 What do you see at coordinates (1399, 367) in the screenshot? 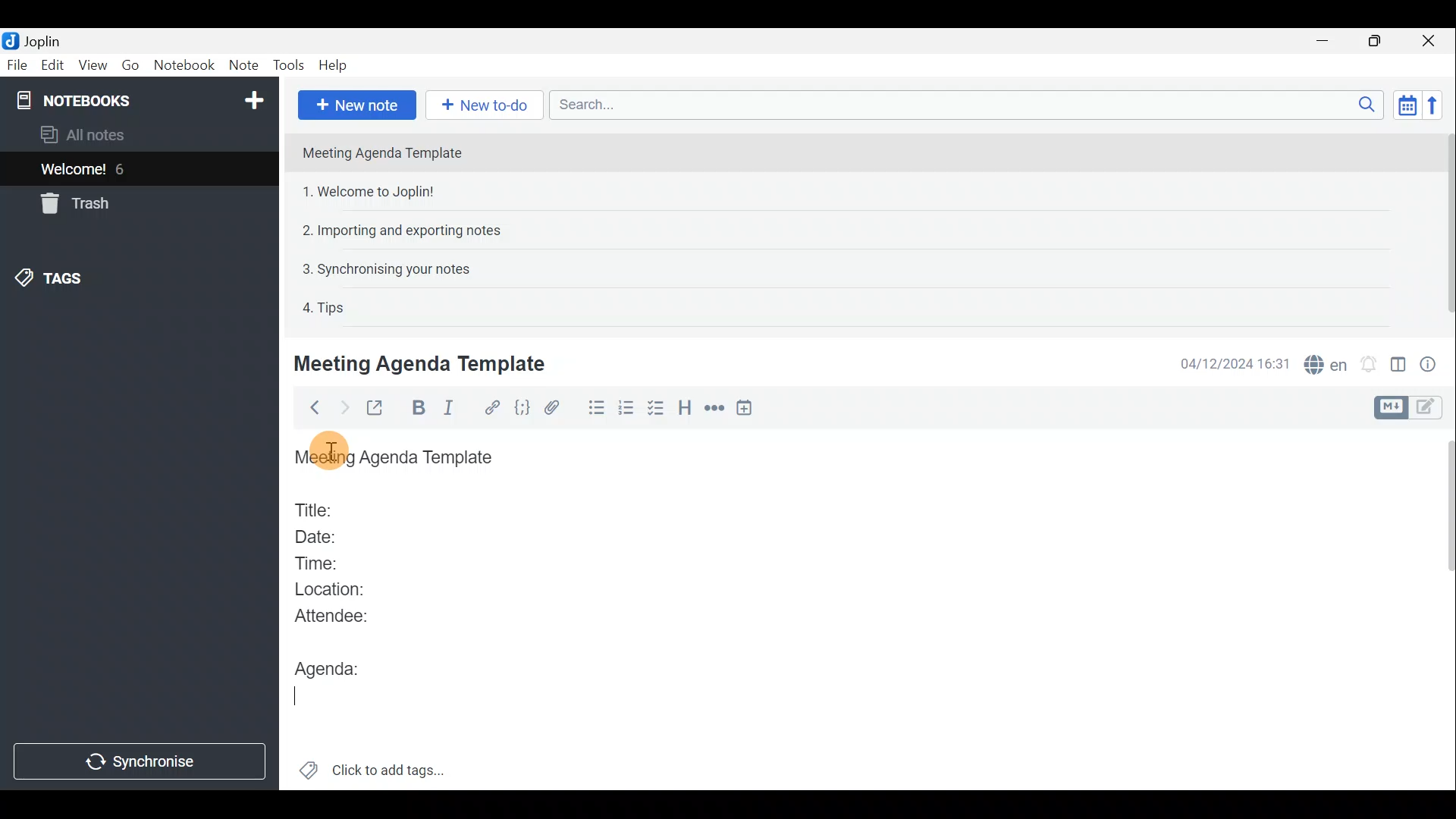
I see `Toggle editor layout` at bounding box center [1399, 367].